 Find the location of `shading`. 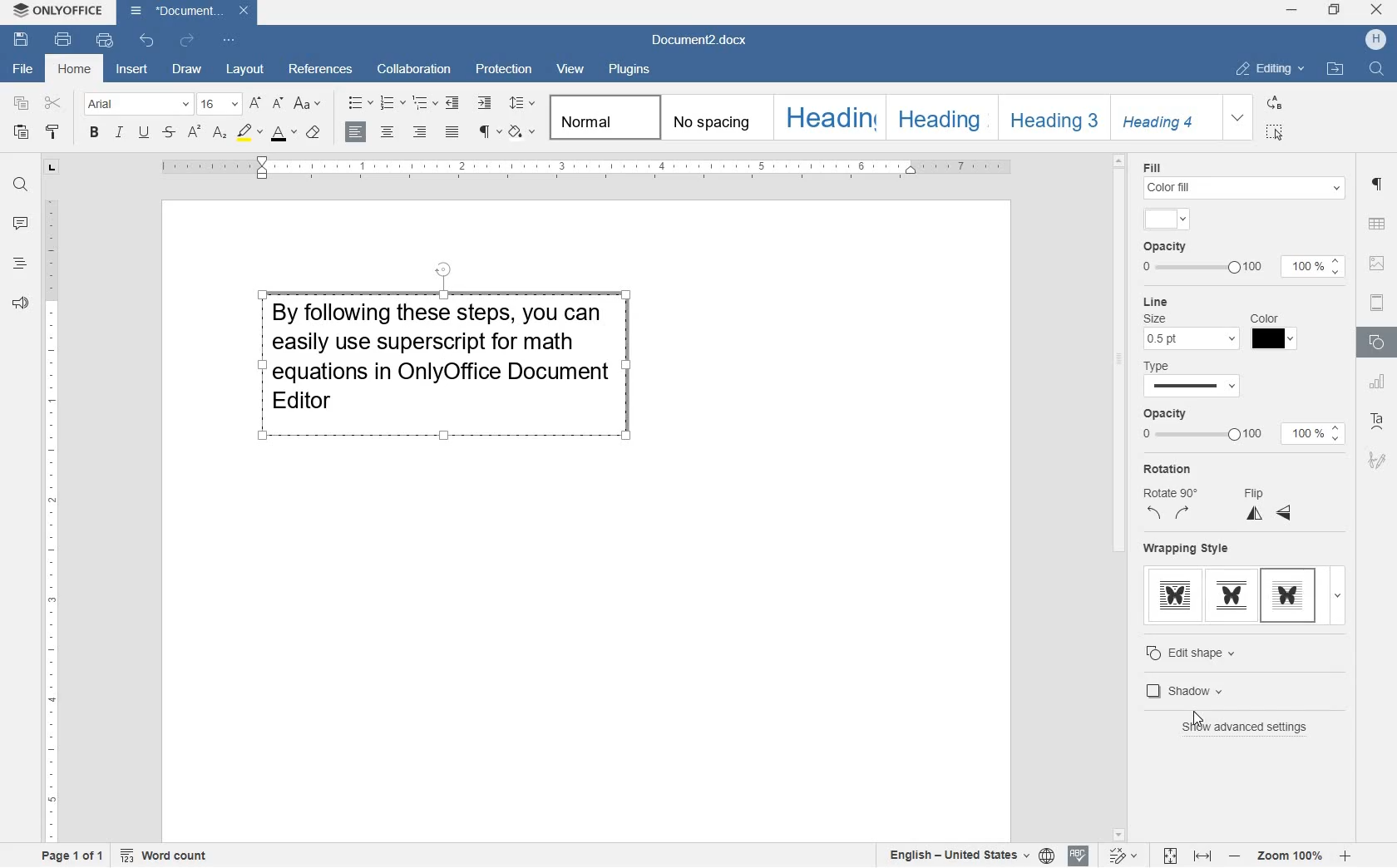

shading is located at coordinates (522, 131).